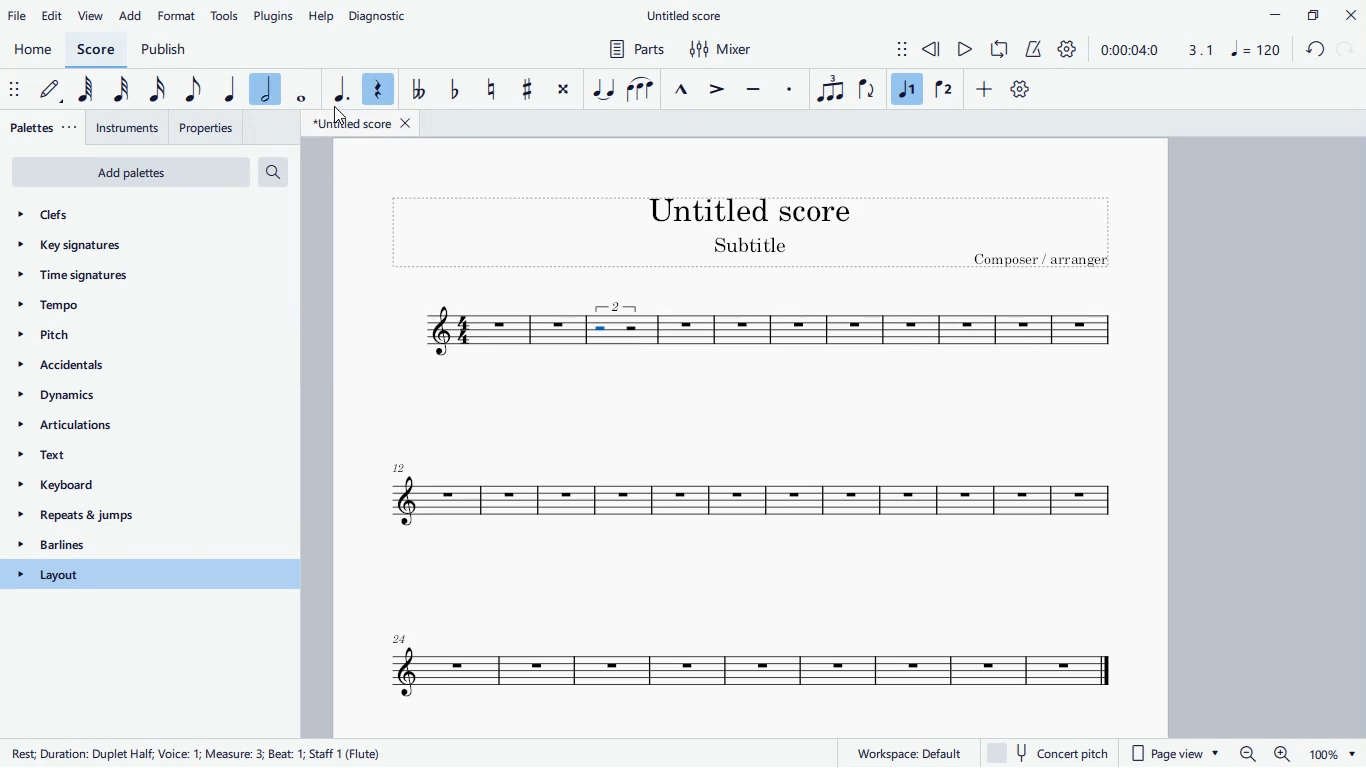 This screenshot has height=768, width=1366. Describe the element at coordinates (603, 88) in the screenshot. I see `tie` at that location.